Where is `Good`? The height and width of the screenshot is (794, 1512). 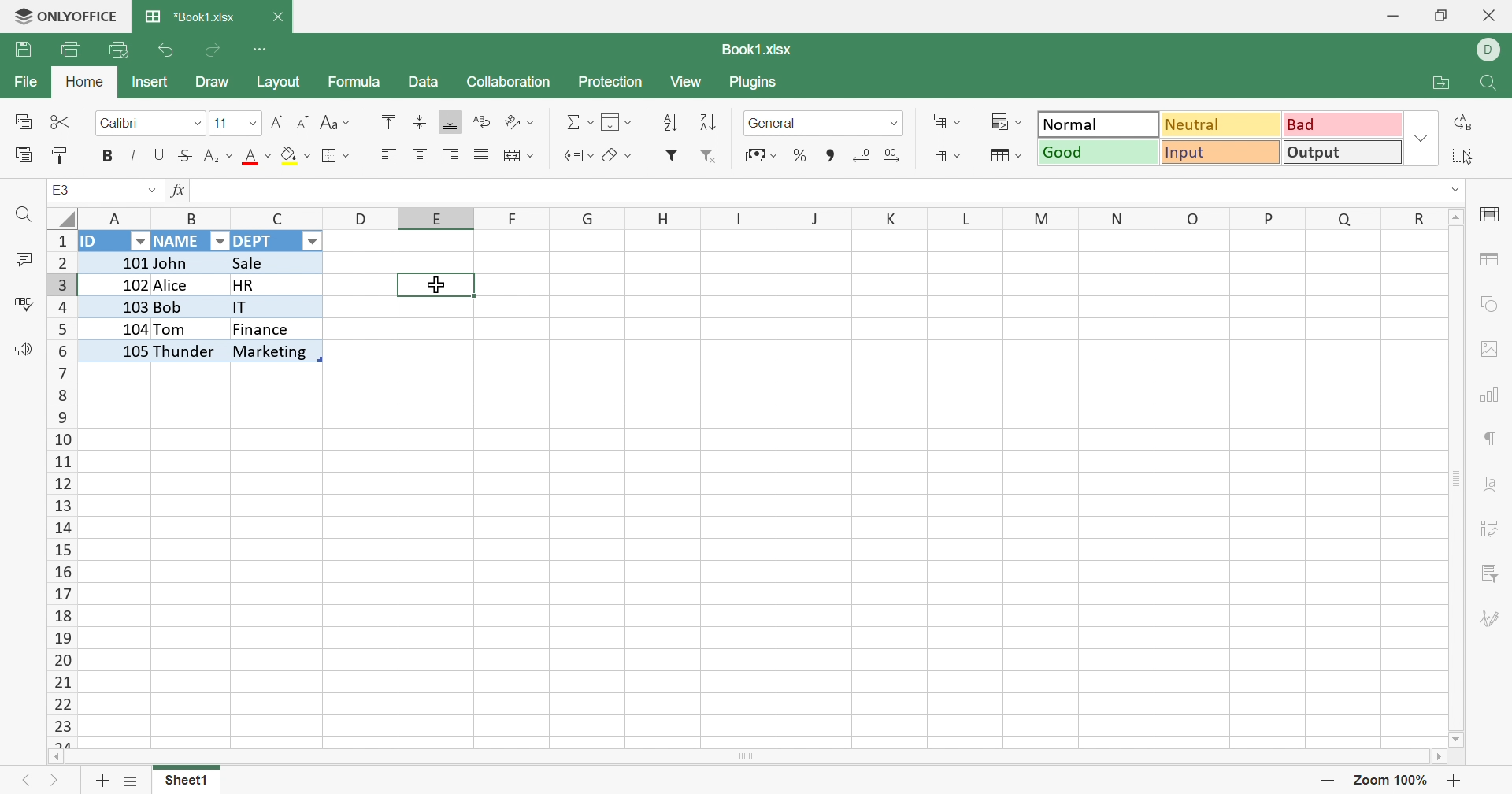 Good is located at coordinates (1098, 155).